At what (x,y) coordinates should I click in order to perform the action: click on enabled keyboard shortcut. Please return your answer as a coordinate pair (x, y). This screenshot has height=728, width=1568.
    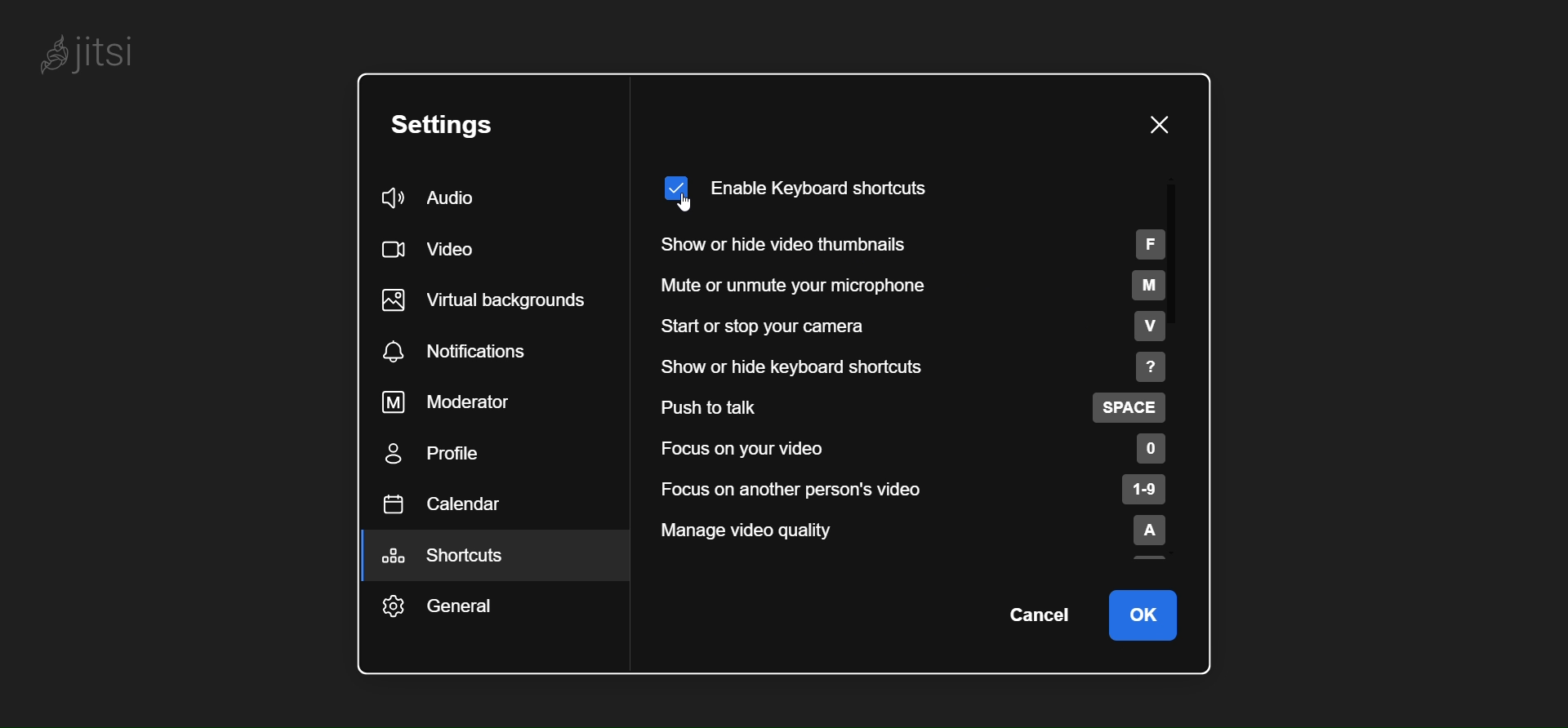
    Looking at the image, I should click on (824, 184).